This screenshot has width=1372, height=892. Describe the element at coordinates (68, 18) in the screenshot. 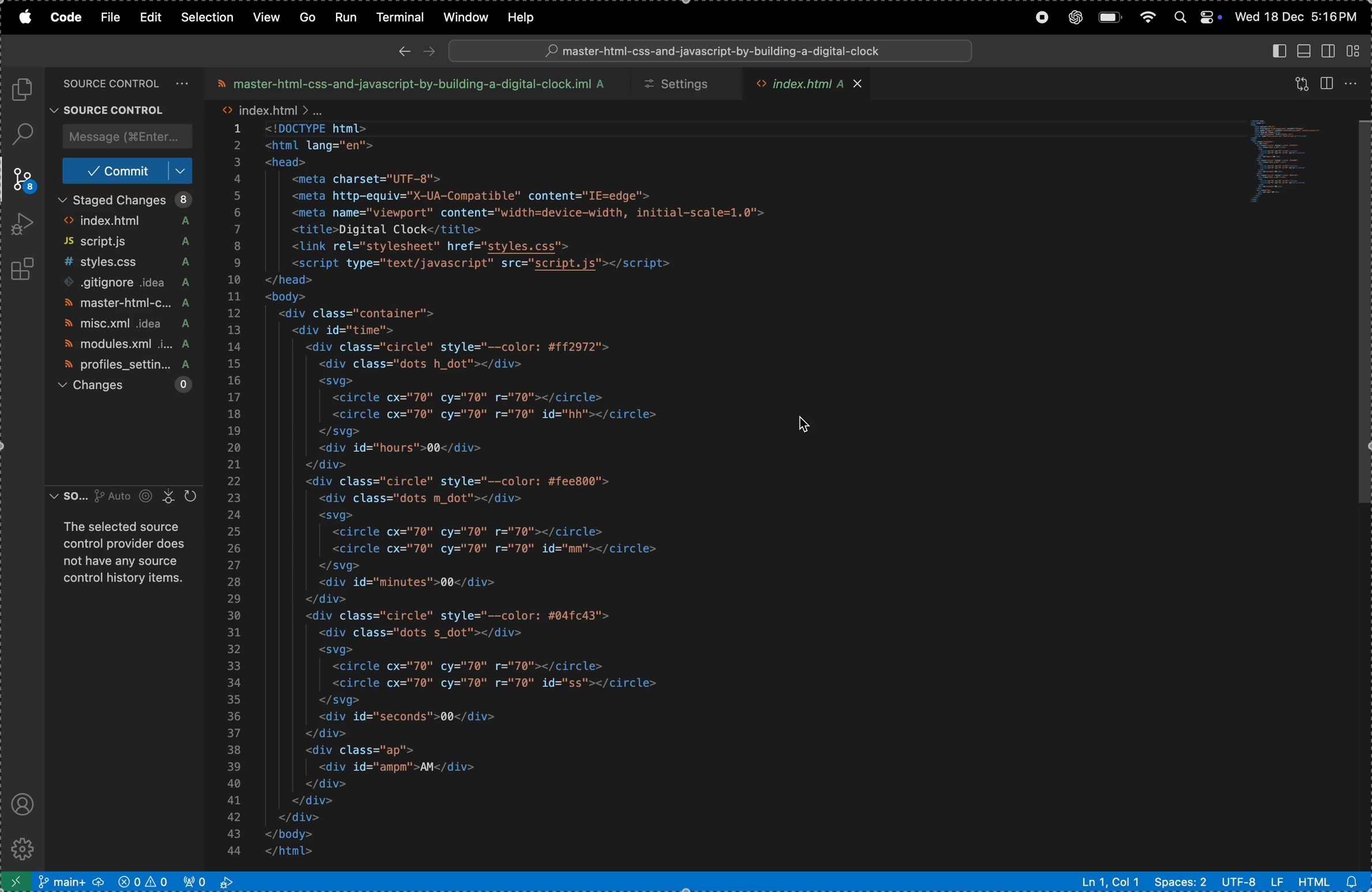

I see `code` at that location.